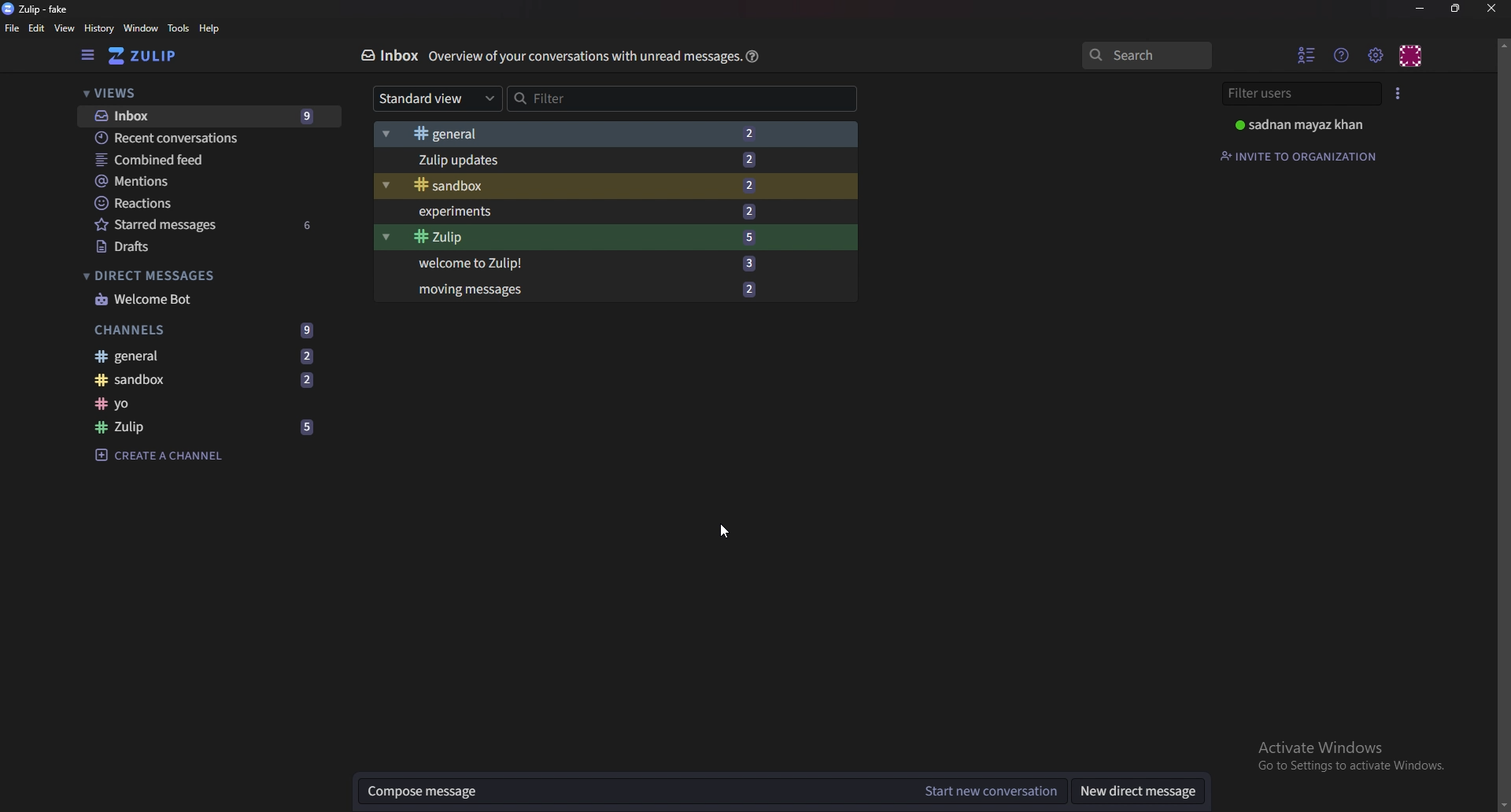 This screenshot has height=812, width=1511. What do you see at coordinates (1143, 54) in the screenshot?
I see `search` at bounding box center [1143, 54].